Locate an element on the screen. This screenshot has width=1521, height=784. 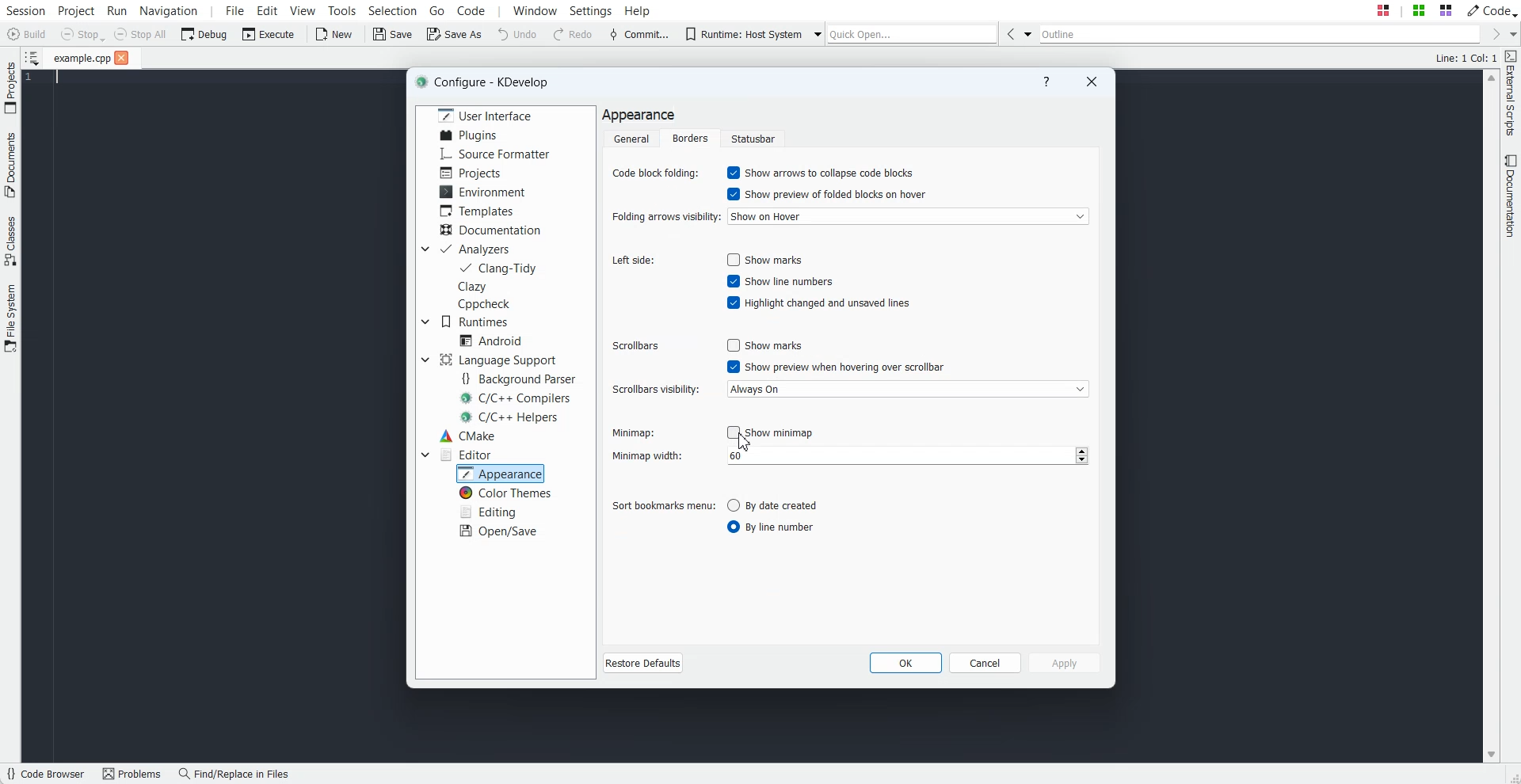
Close is located at coordinates (122, 57).